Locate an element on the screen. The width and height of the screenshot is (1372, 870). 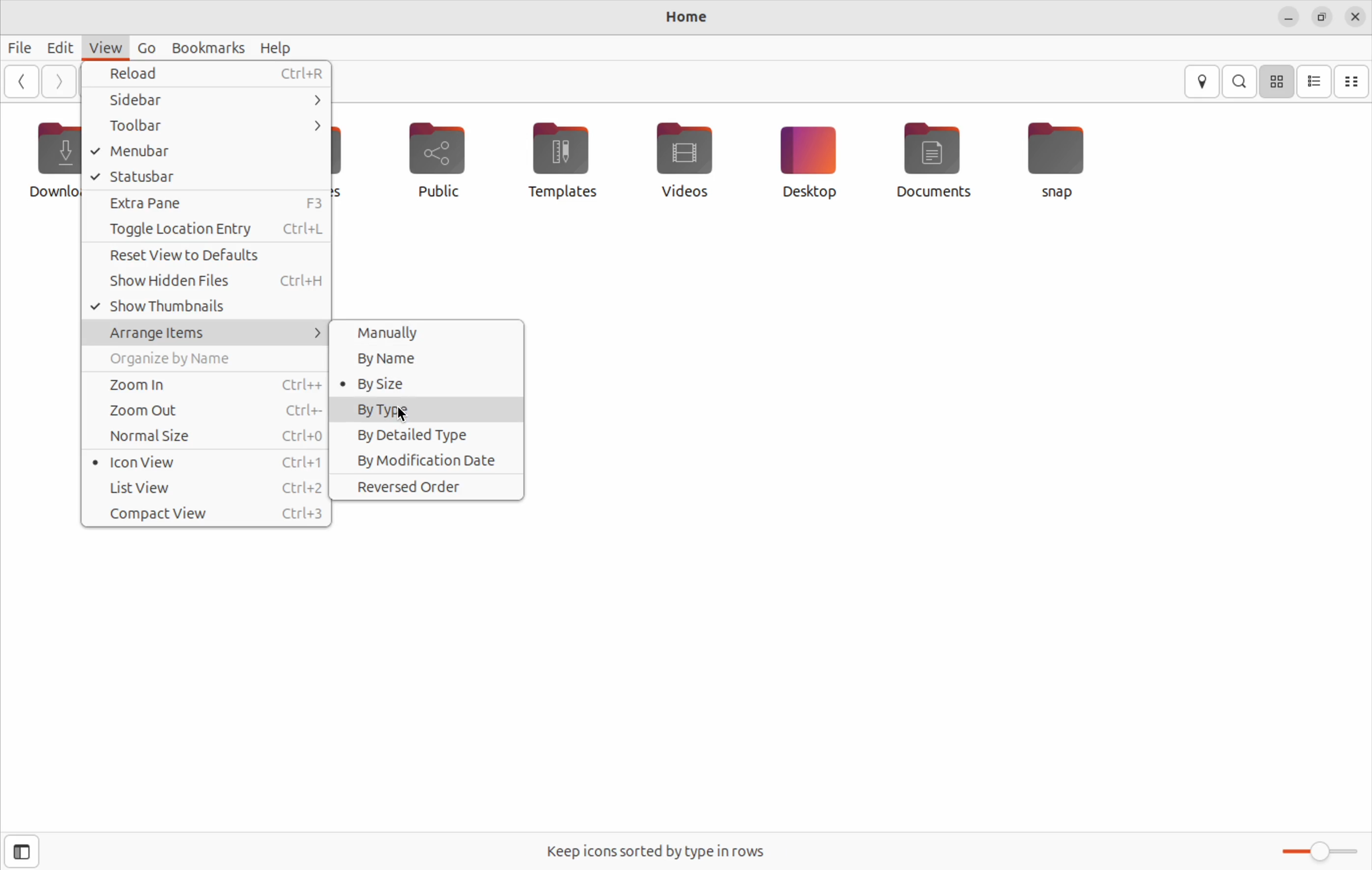
reversed order is located at coordinates (428, 487).